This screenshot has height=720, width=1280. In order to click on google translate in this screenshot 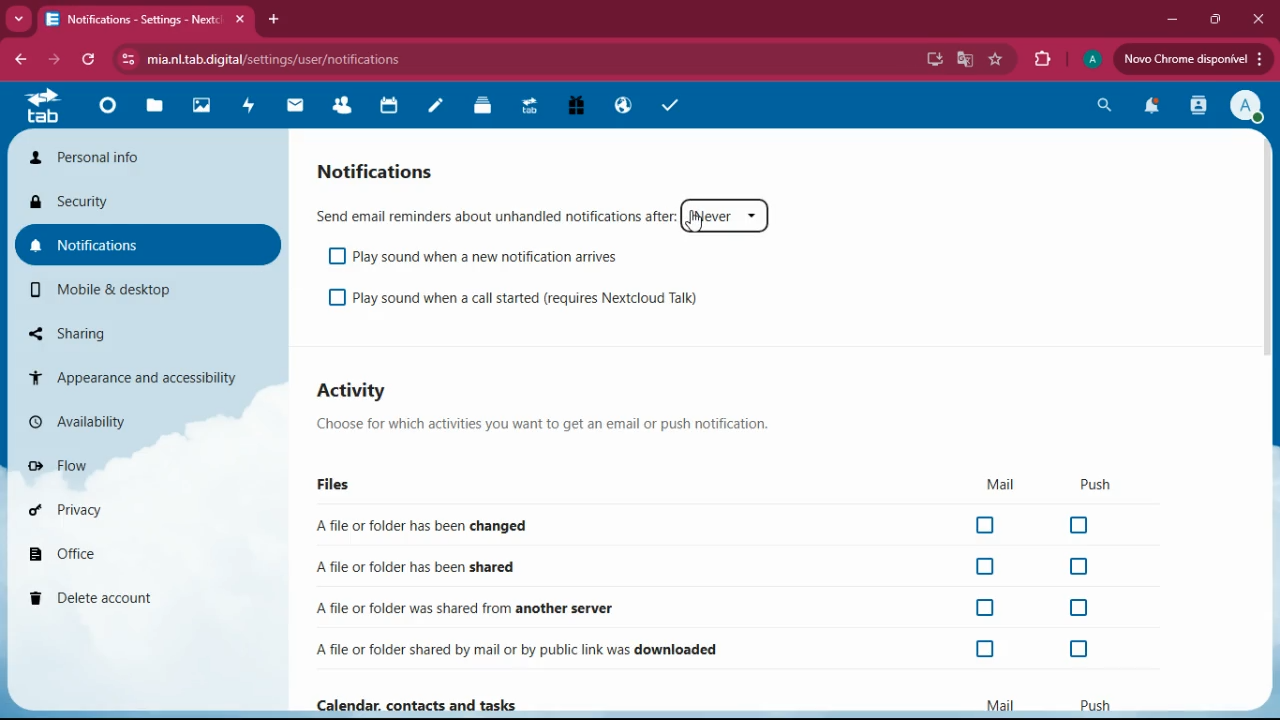, I will do `click(962, 59)`.